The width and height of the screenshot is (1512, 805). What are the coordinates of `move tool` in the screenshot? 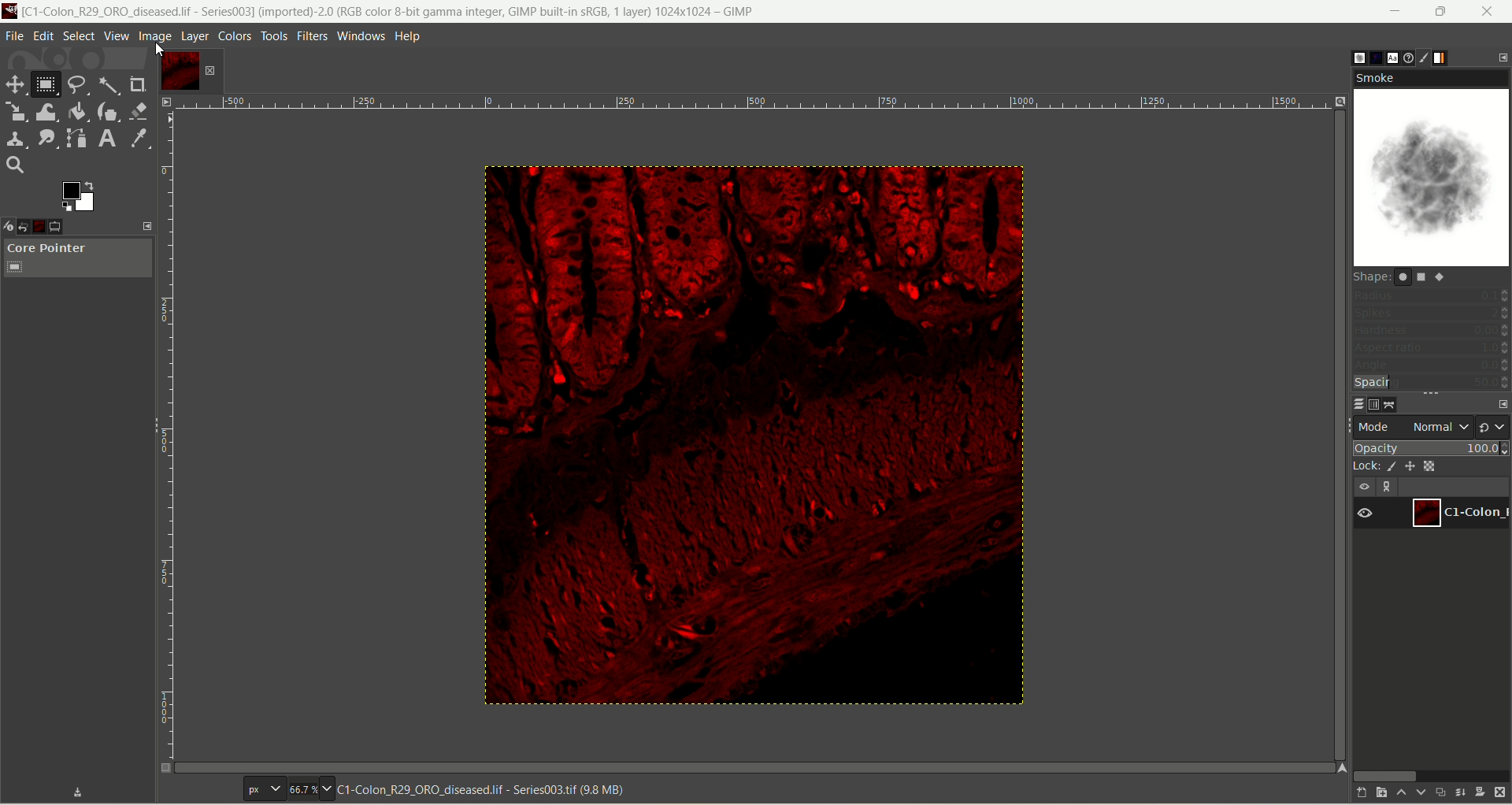 It's located at (17, 85).